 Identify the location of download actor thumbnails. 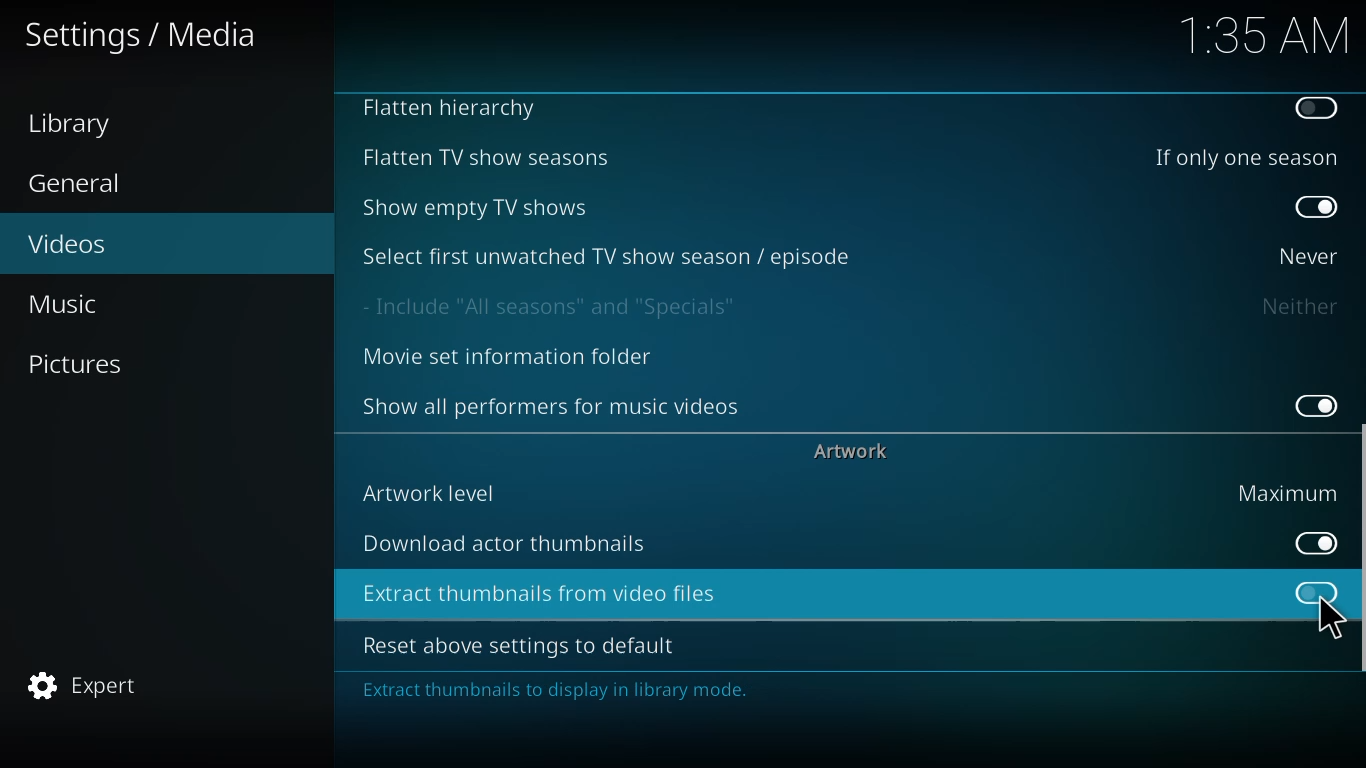
(507, 542).